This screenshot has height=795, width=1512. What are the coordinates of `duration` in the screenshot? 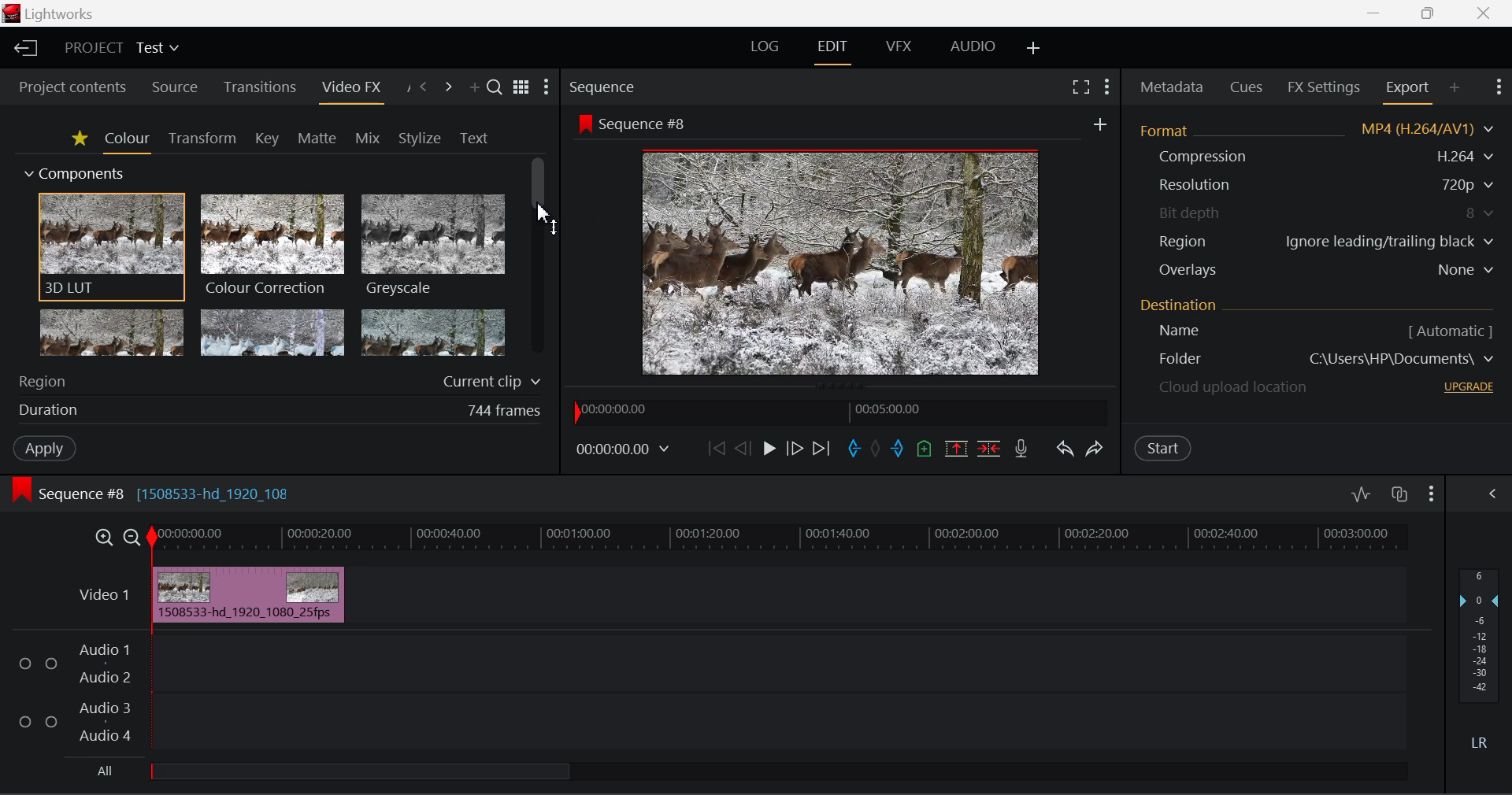 It's located at (44, 411).